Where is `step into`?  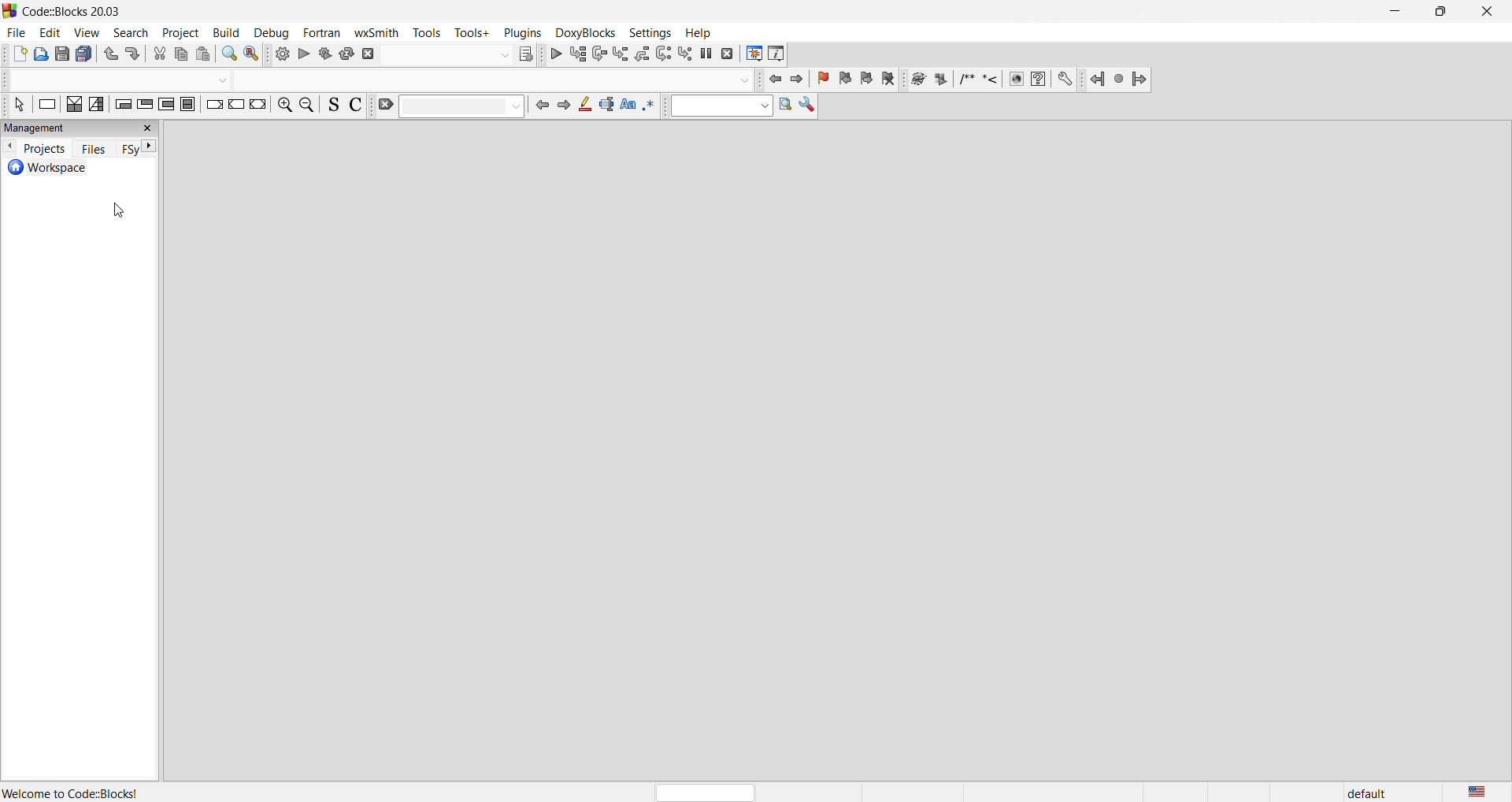
step into is located at coordinates (621, 54).